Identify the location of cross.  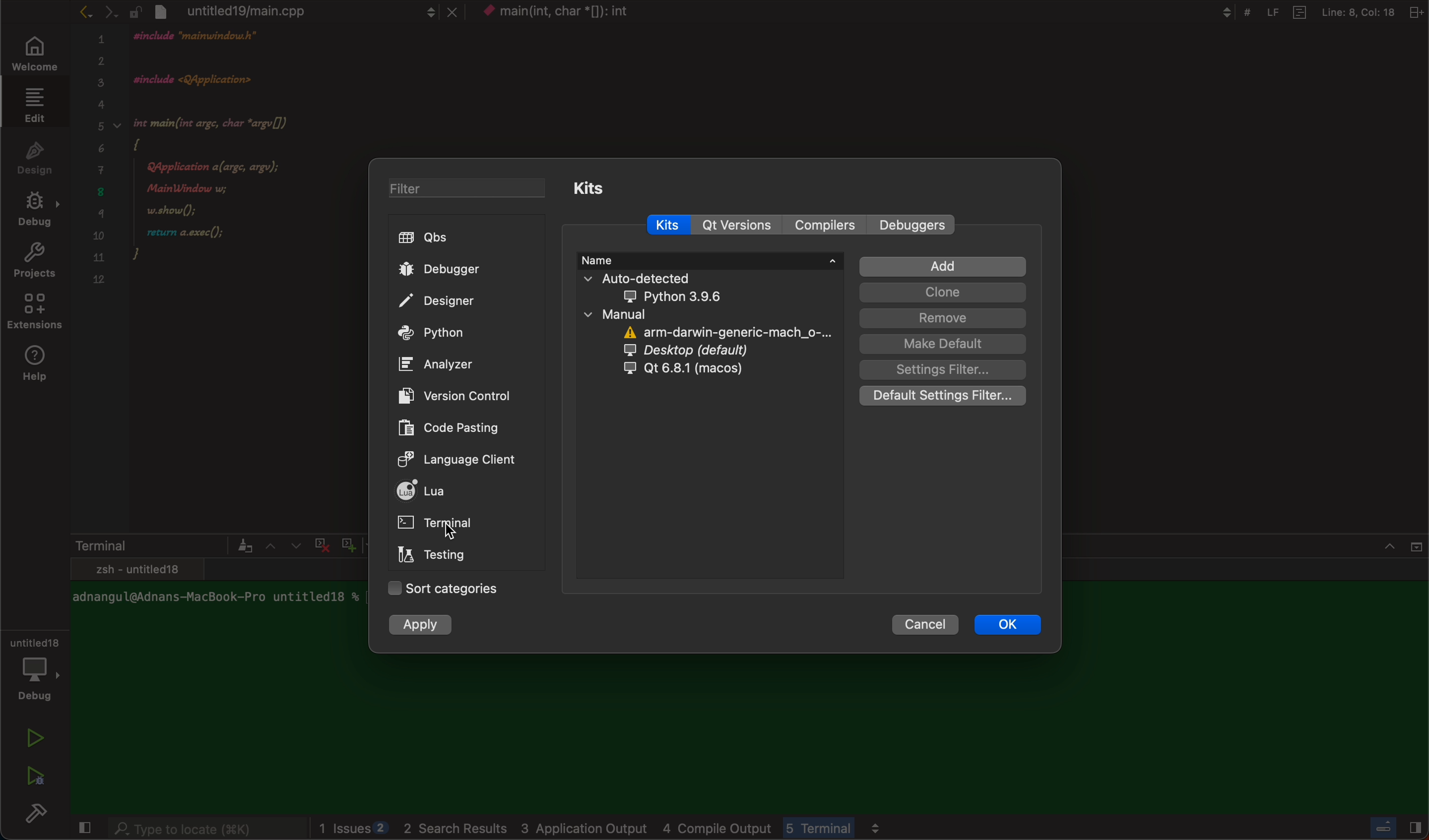
(319, 543).